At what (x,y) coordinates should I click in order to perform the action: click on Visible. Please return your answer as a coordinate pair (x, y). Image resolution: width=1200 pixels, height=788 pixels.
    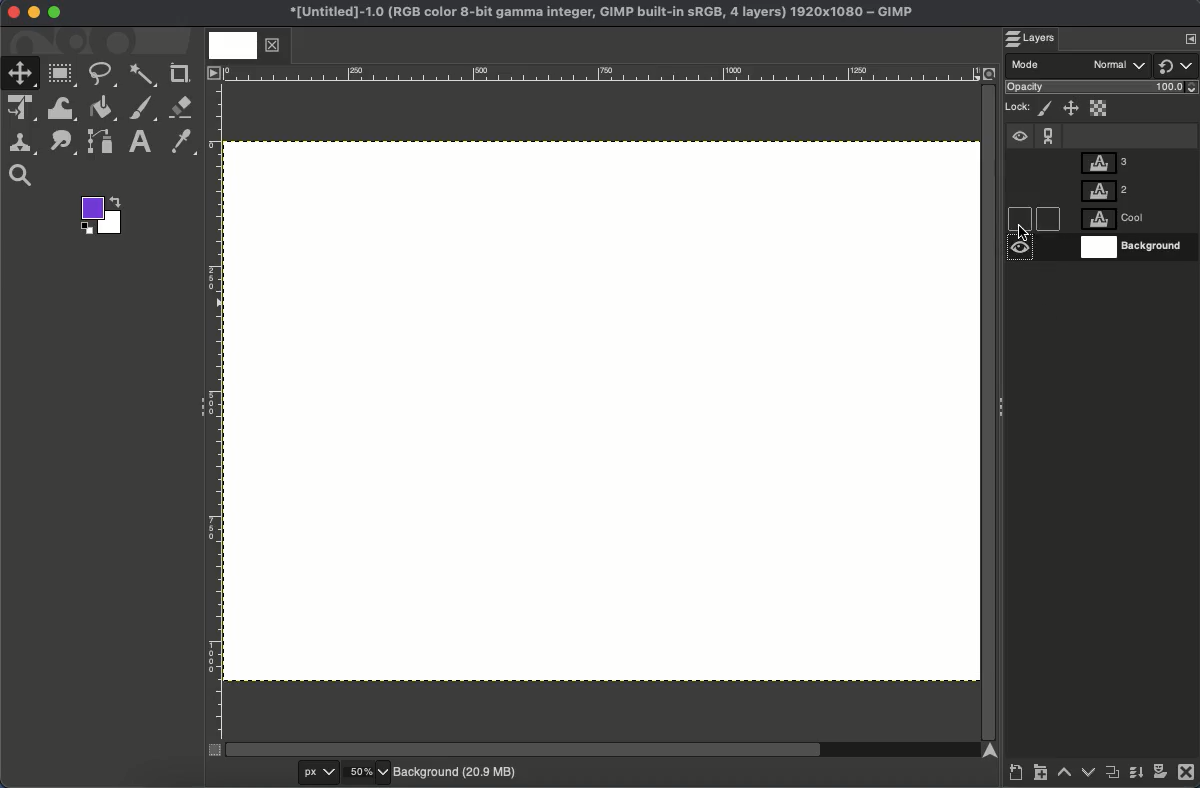
    Looking at the image, I should click on (1020, 251).